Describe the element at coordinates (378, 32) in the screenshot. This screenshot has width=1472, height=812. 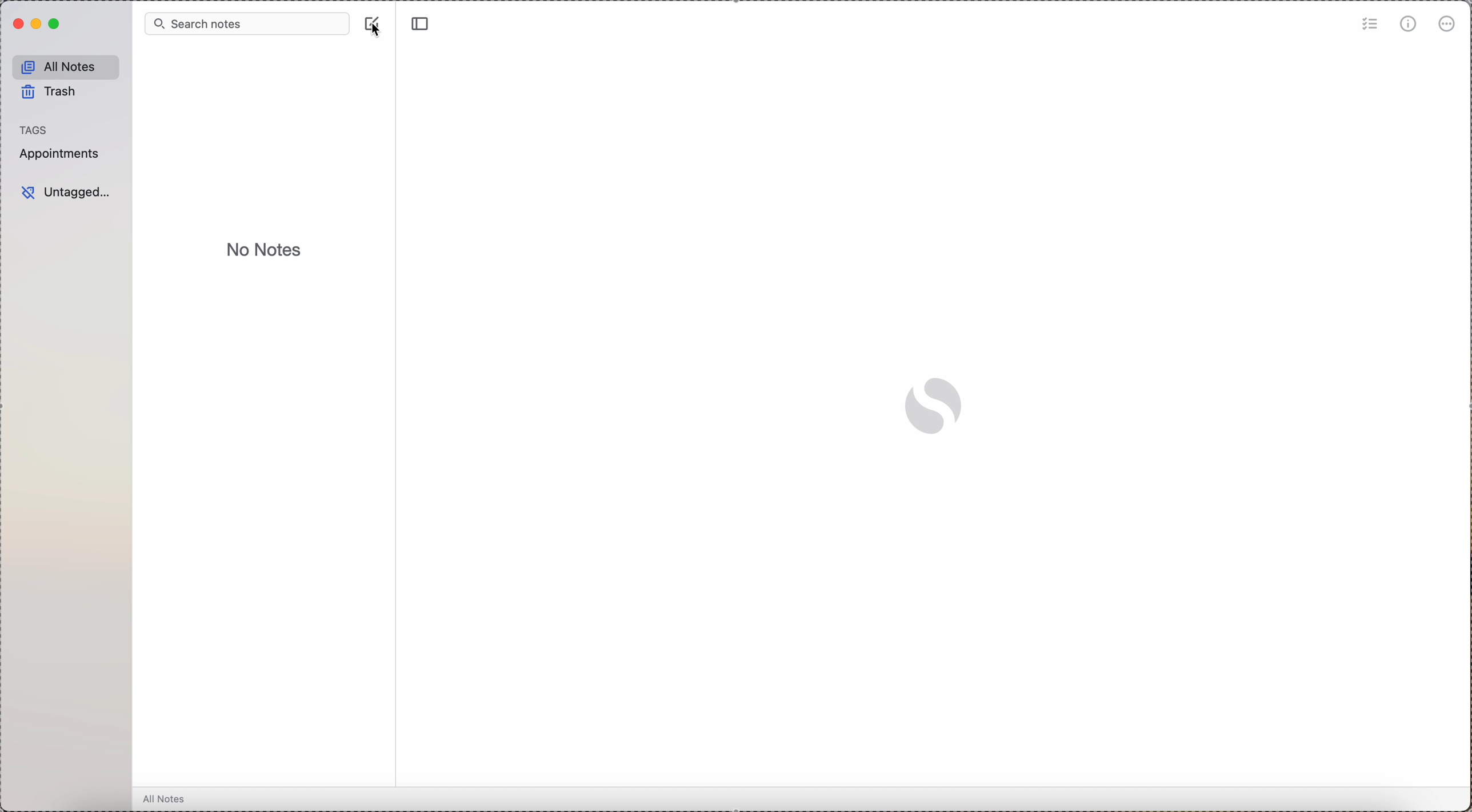
I see `cursor` at that location.